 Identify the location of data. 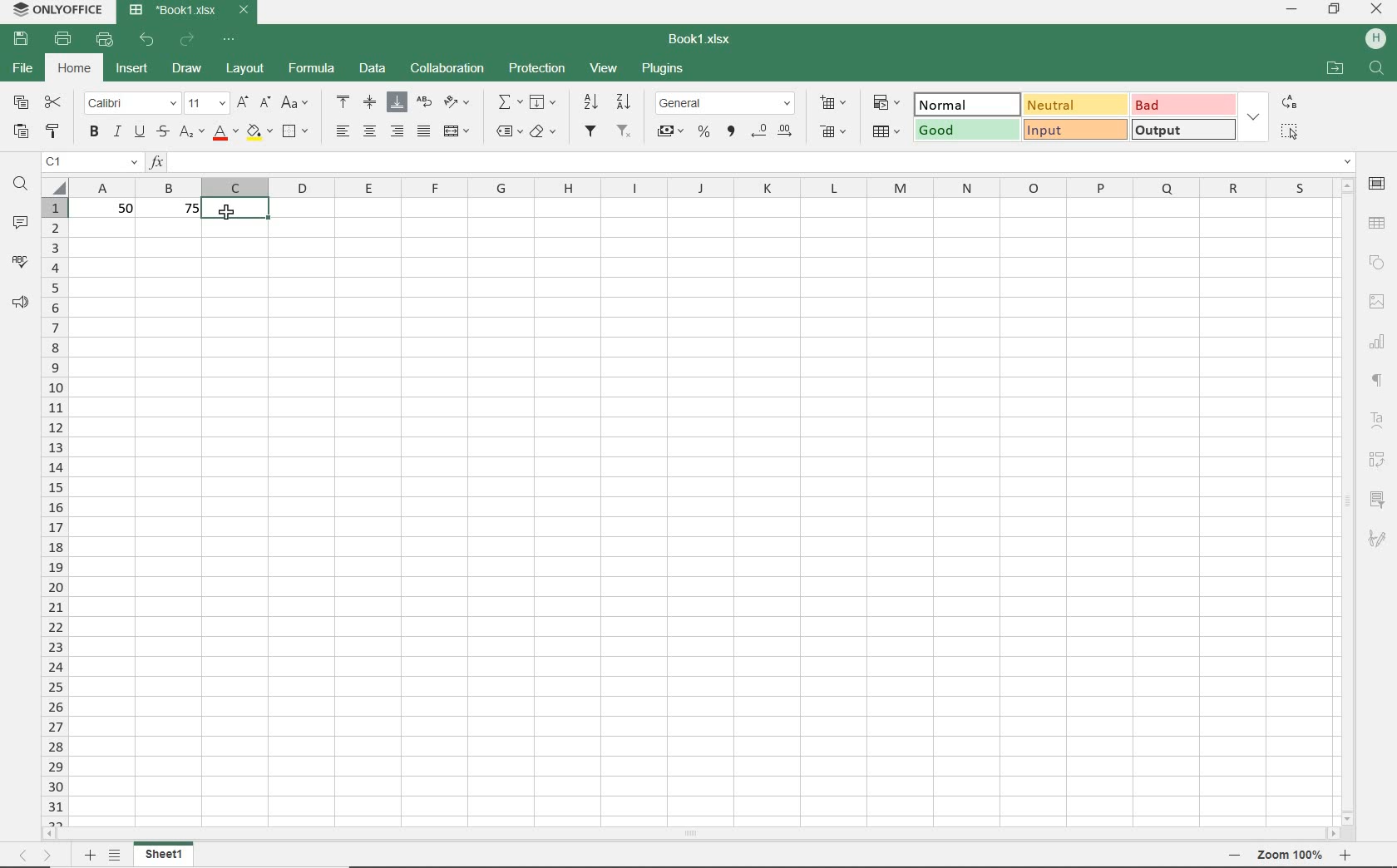
(373, 68).